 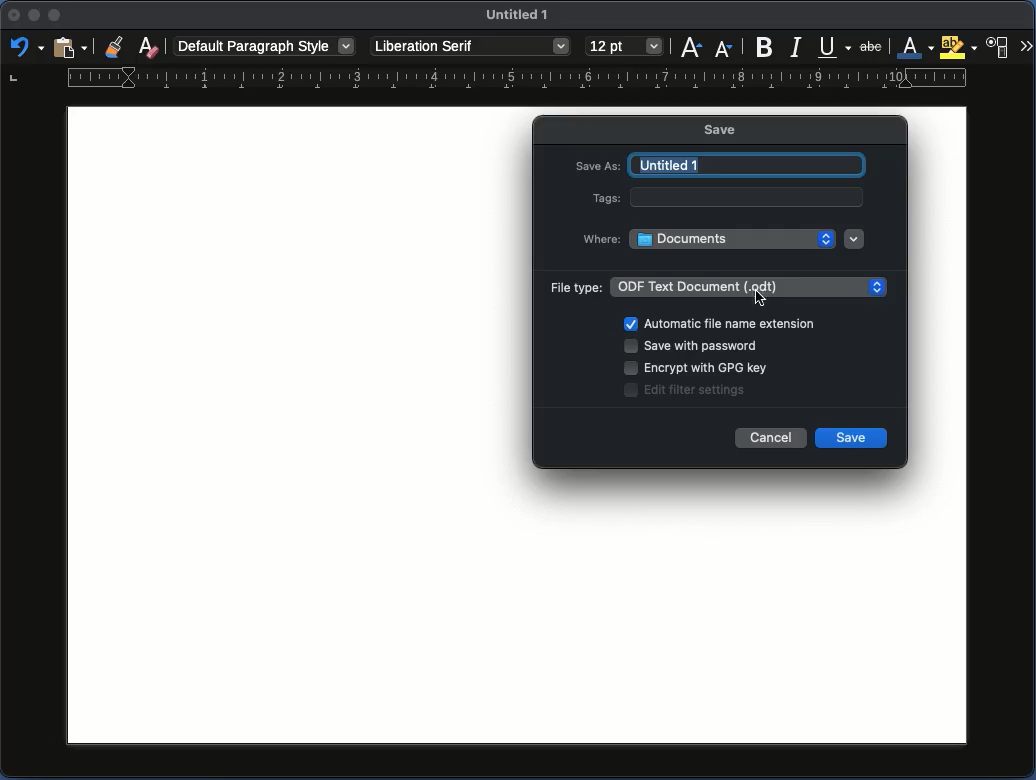 I want to click on More, so click(x=1026, y=47).